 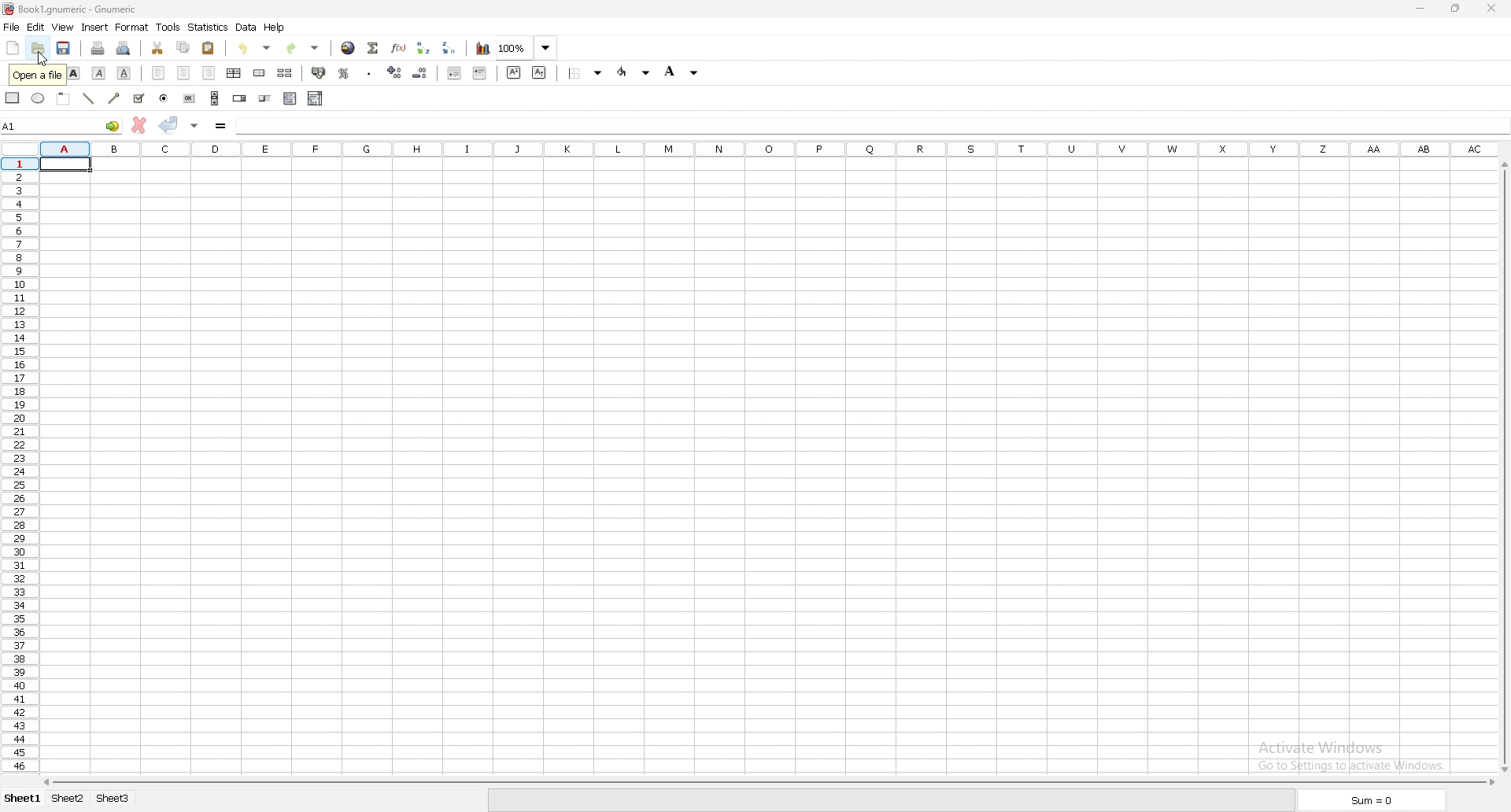 What do you see at coordinates (209, 49) in the screenshot?
I see `paste` at bounding box center [209, 49].